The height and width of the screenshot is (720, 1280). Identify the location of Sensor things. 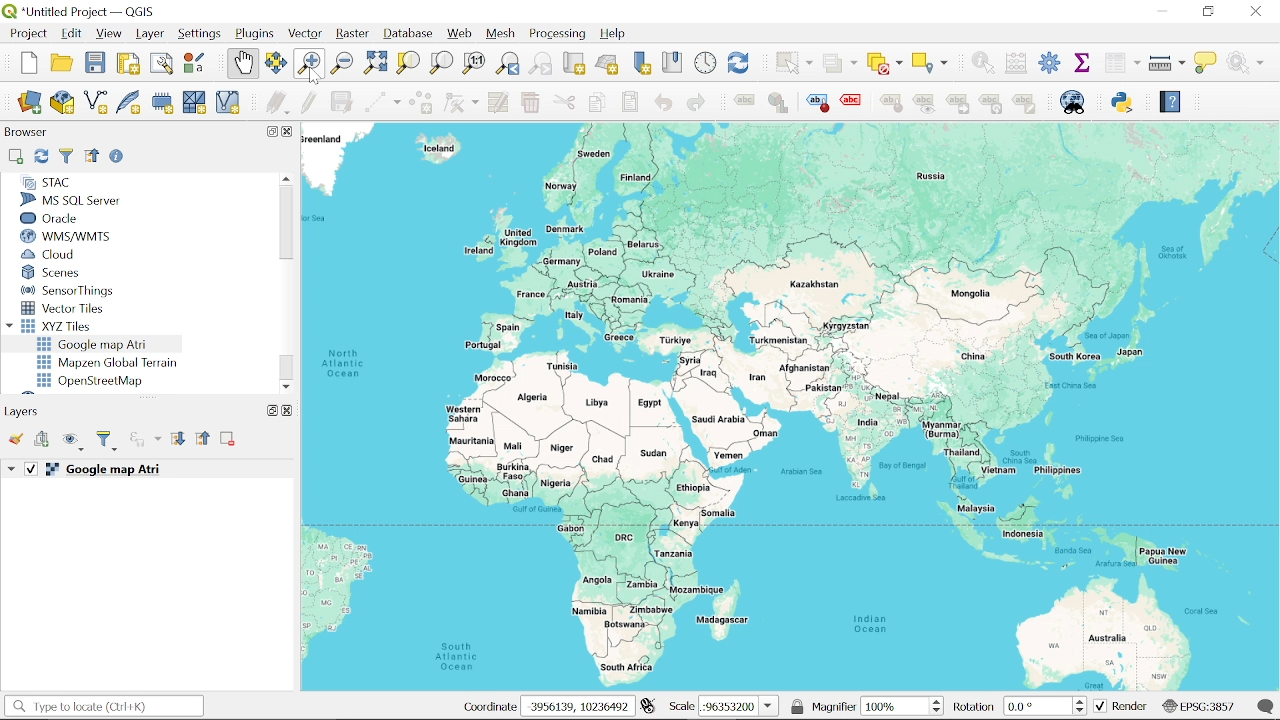
(68, 290).